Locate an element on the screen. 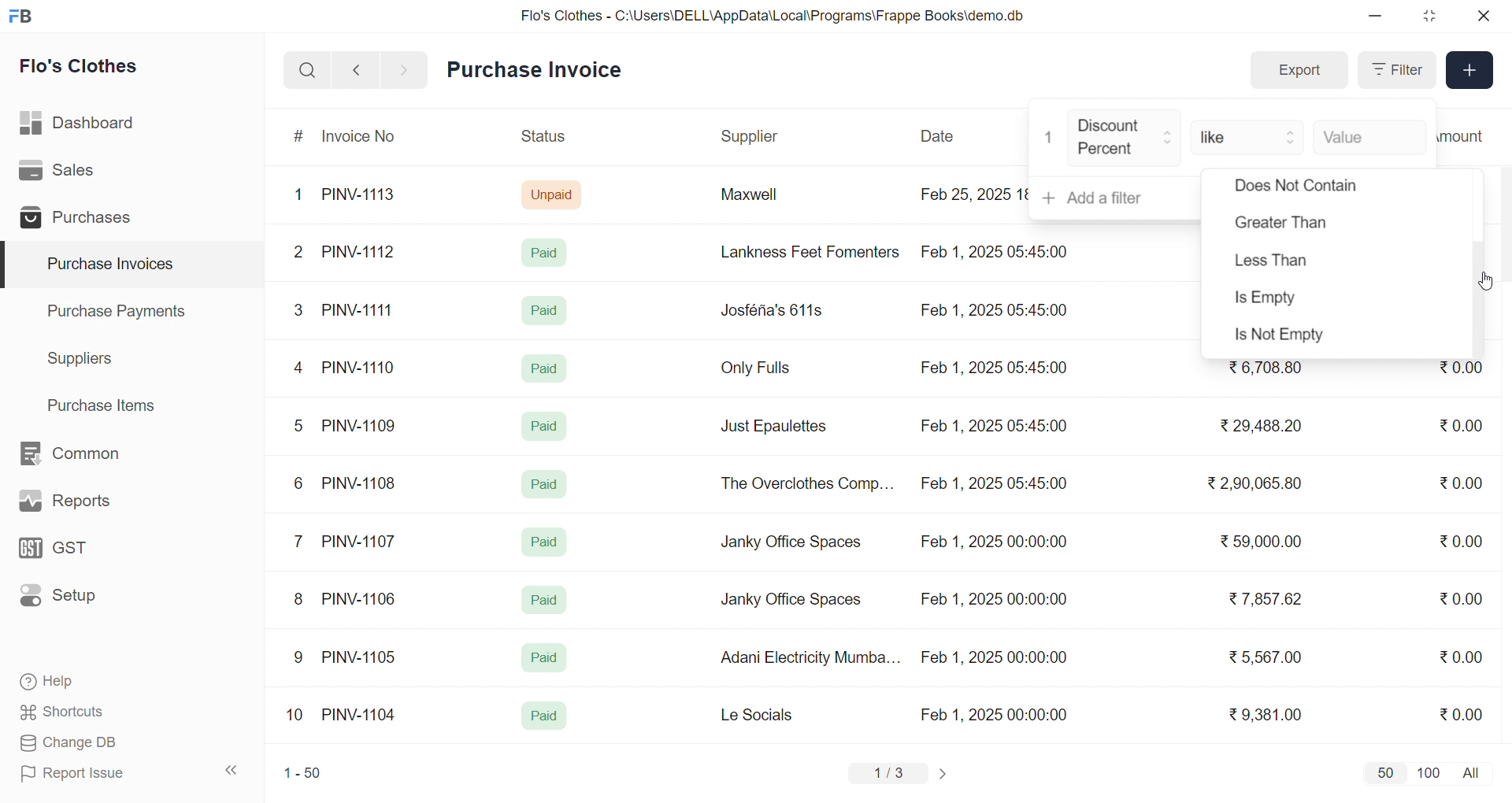  50 is located at coordinates (1384, 772).